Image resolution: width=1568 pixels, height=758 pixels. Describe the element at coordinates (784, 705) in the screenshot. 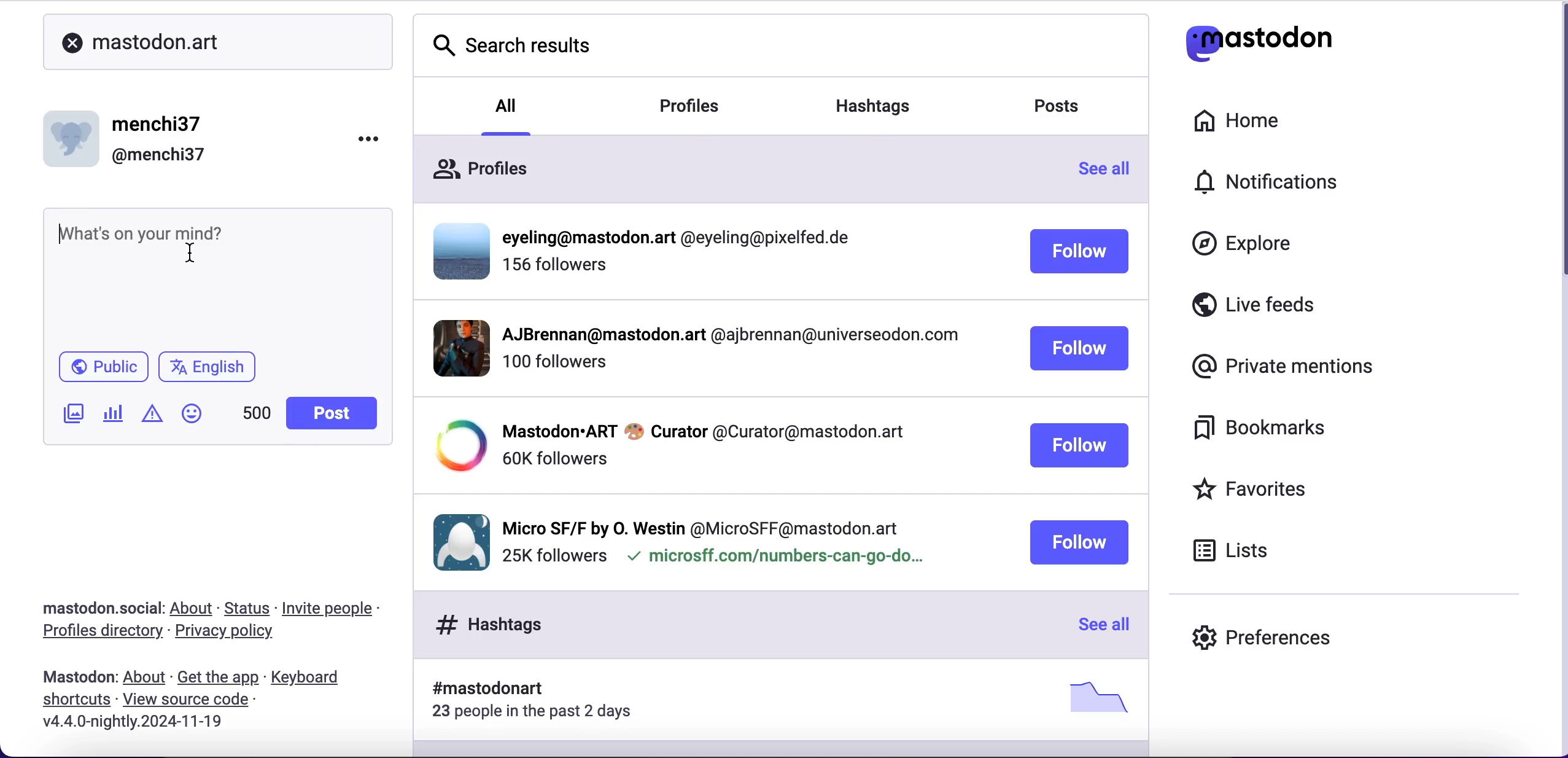

I see `hashtags` at that location.